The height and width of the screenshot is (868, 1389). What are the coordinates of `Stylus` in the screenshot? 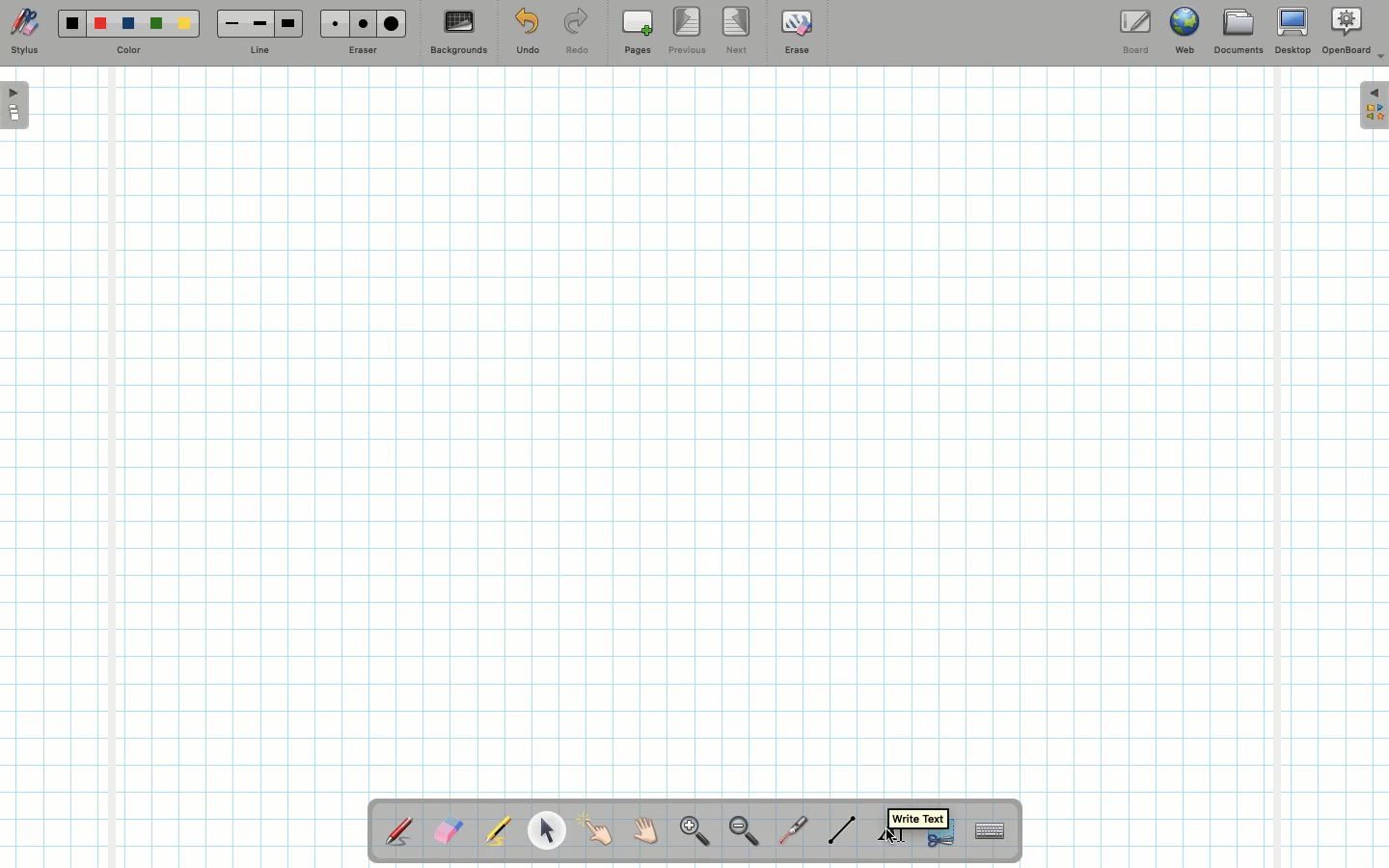 It's located at (400, 830).